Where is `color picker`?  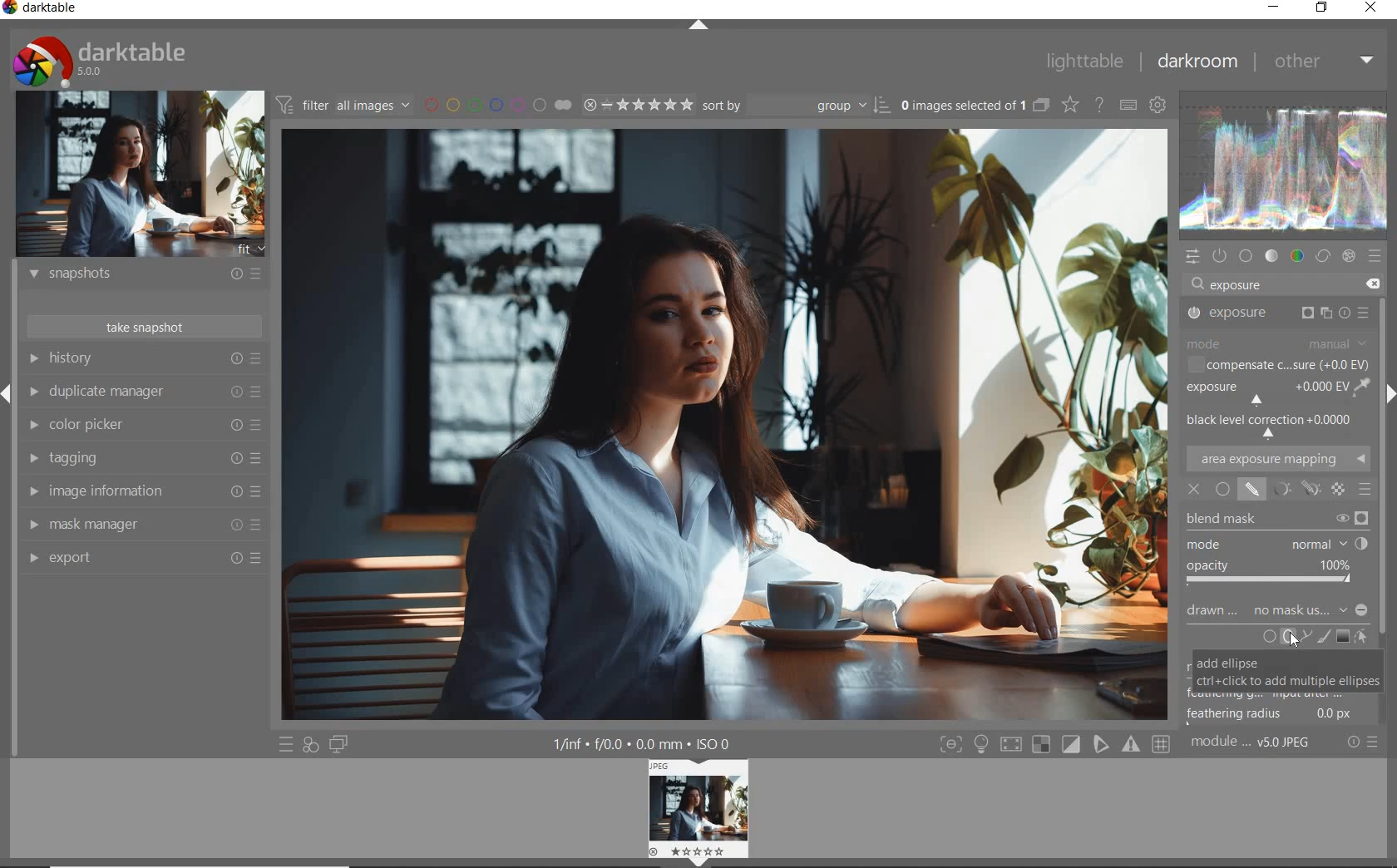 color picker is located at coordinates (146, 425).